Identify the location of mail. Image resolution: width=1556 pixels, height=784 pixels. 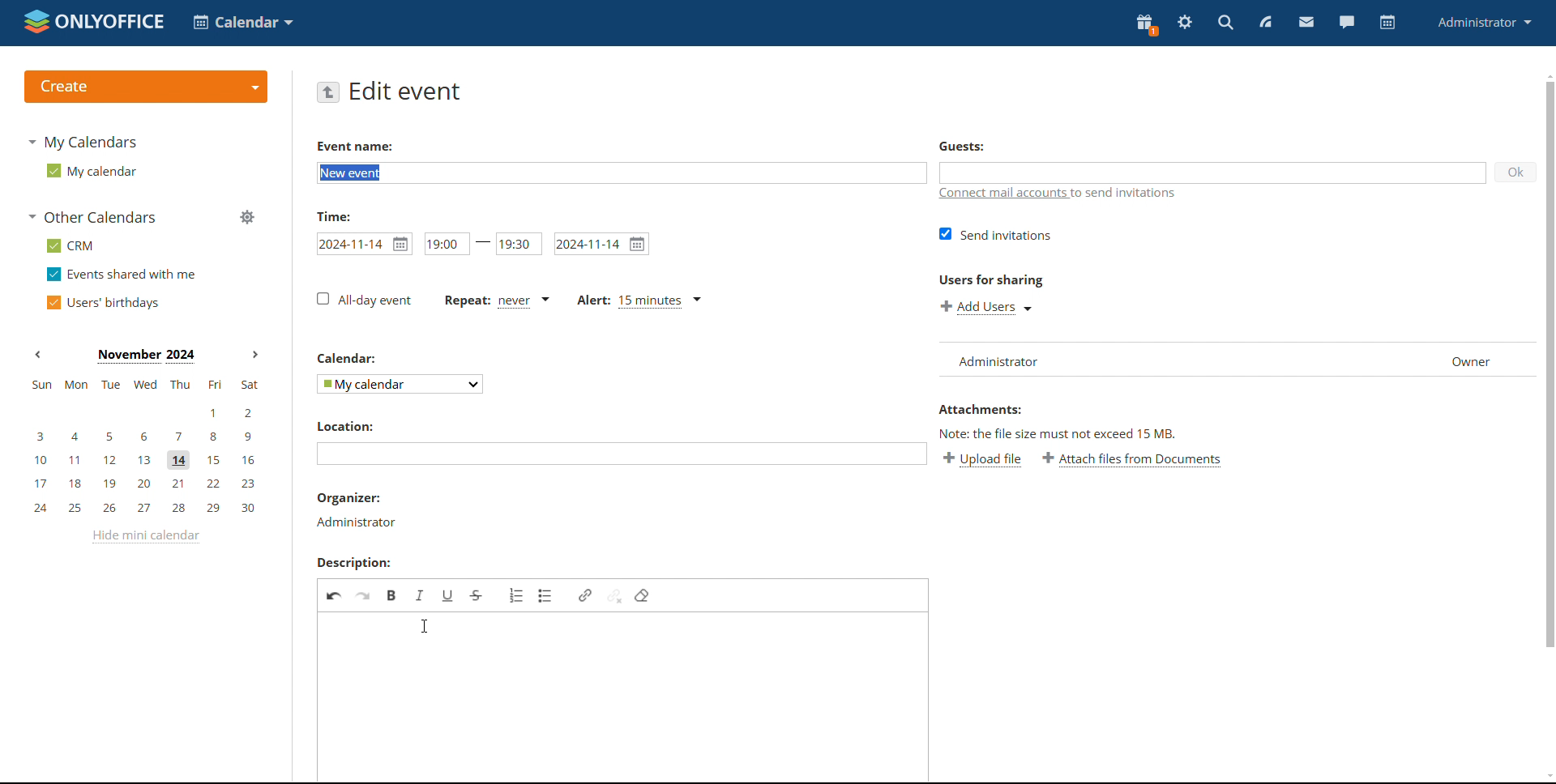
(1306, 23).